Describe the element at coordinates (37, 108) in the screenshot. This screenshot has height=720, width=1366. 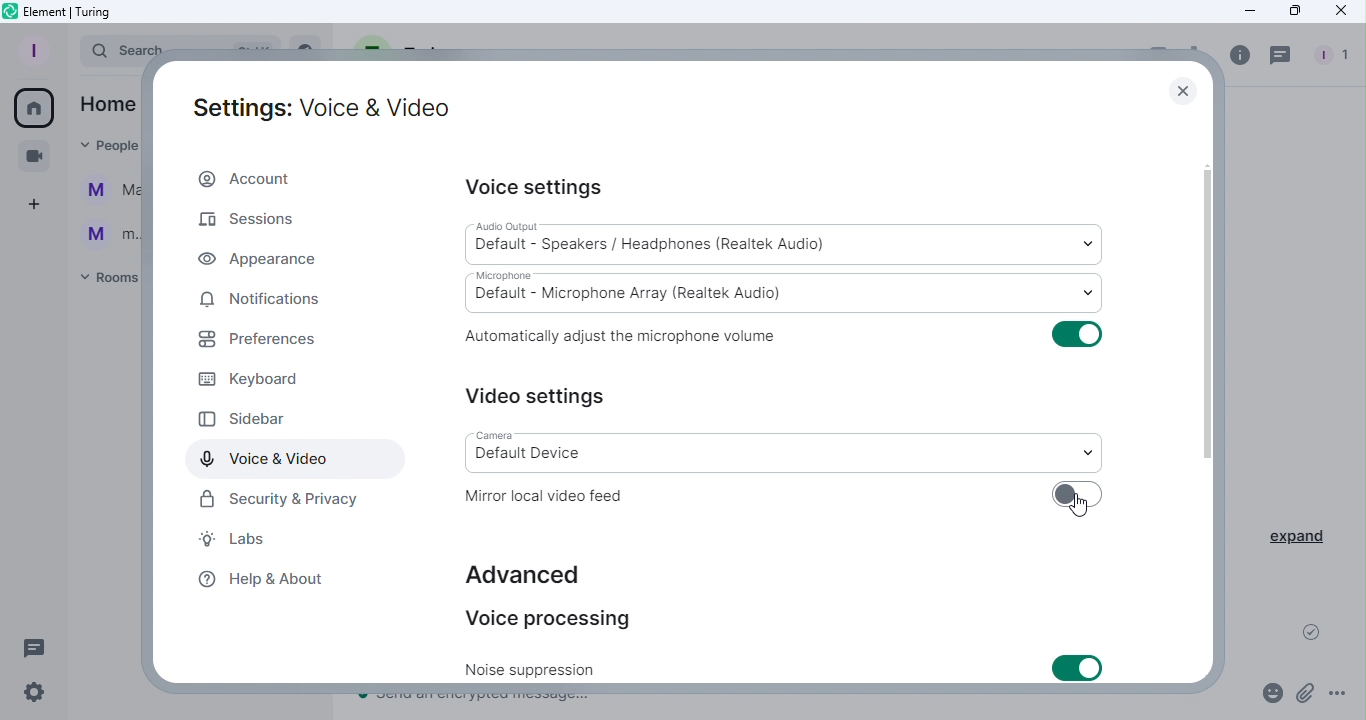
I see `Home` at that location.